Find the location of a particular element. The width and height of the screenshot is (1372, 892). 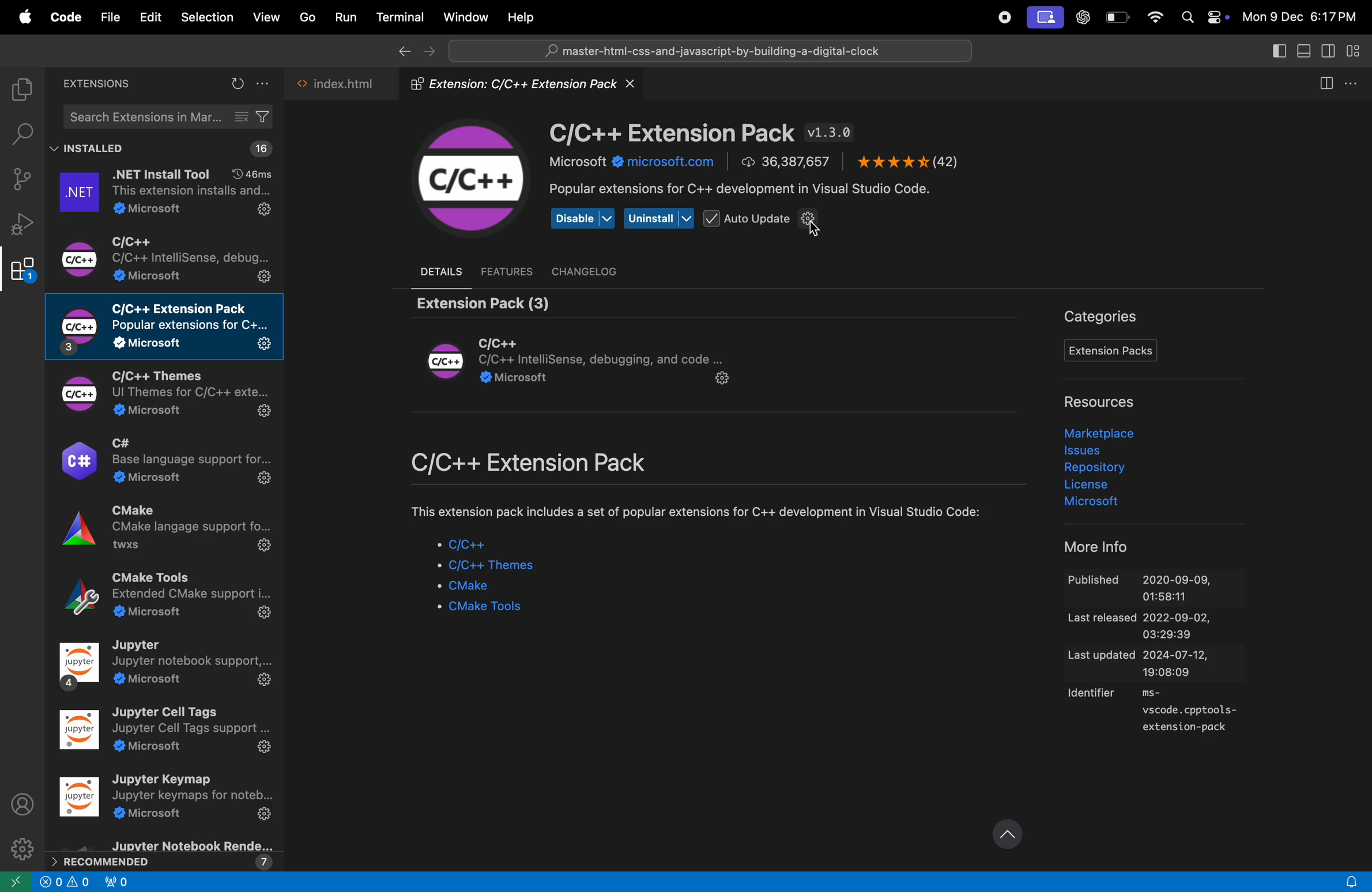

microsoft.com is located at coordinates (630, 165).